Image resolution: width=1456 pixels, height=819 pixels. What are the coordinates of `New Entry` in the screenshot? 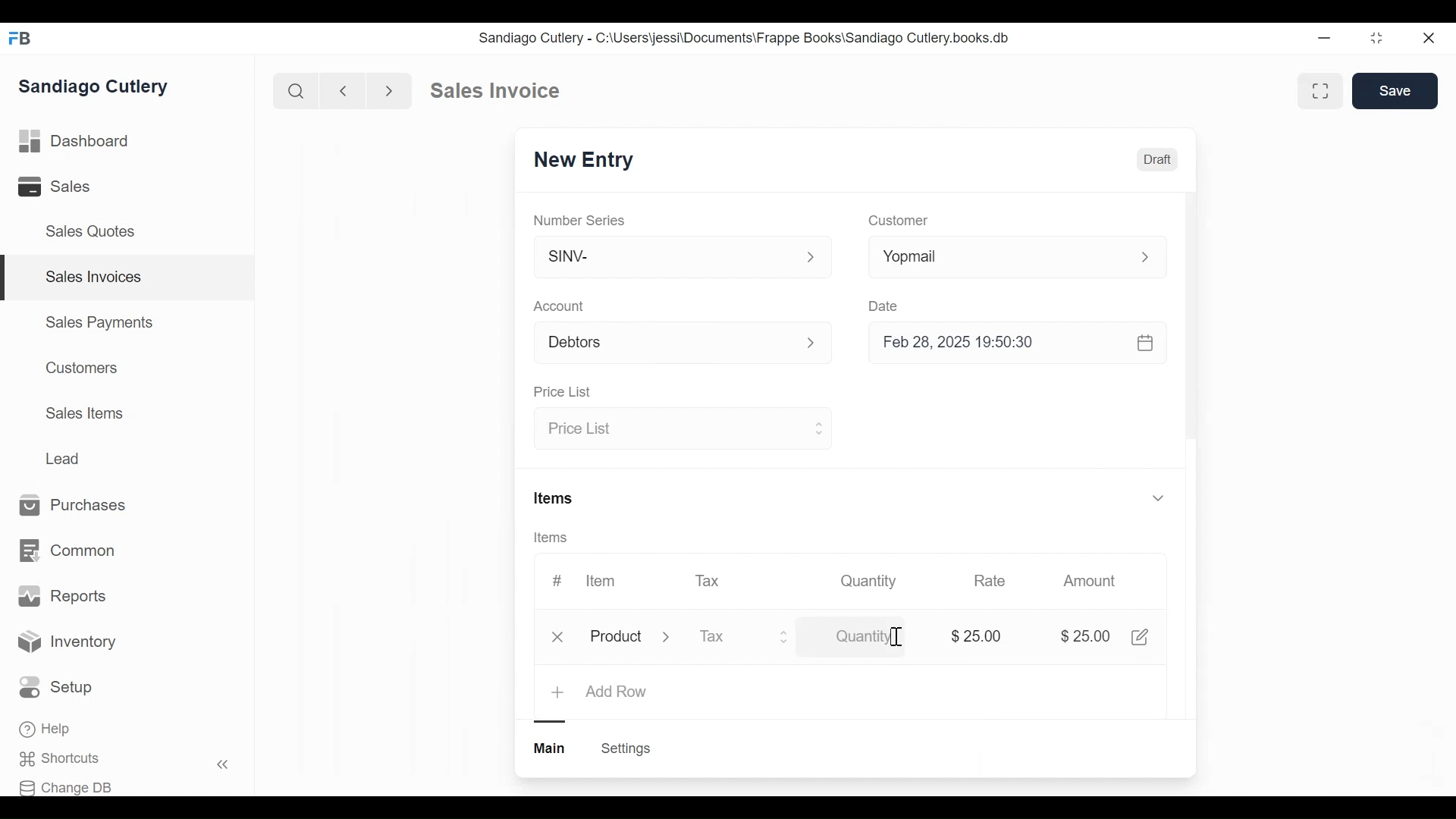 It's located at (579, 162).